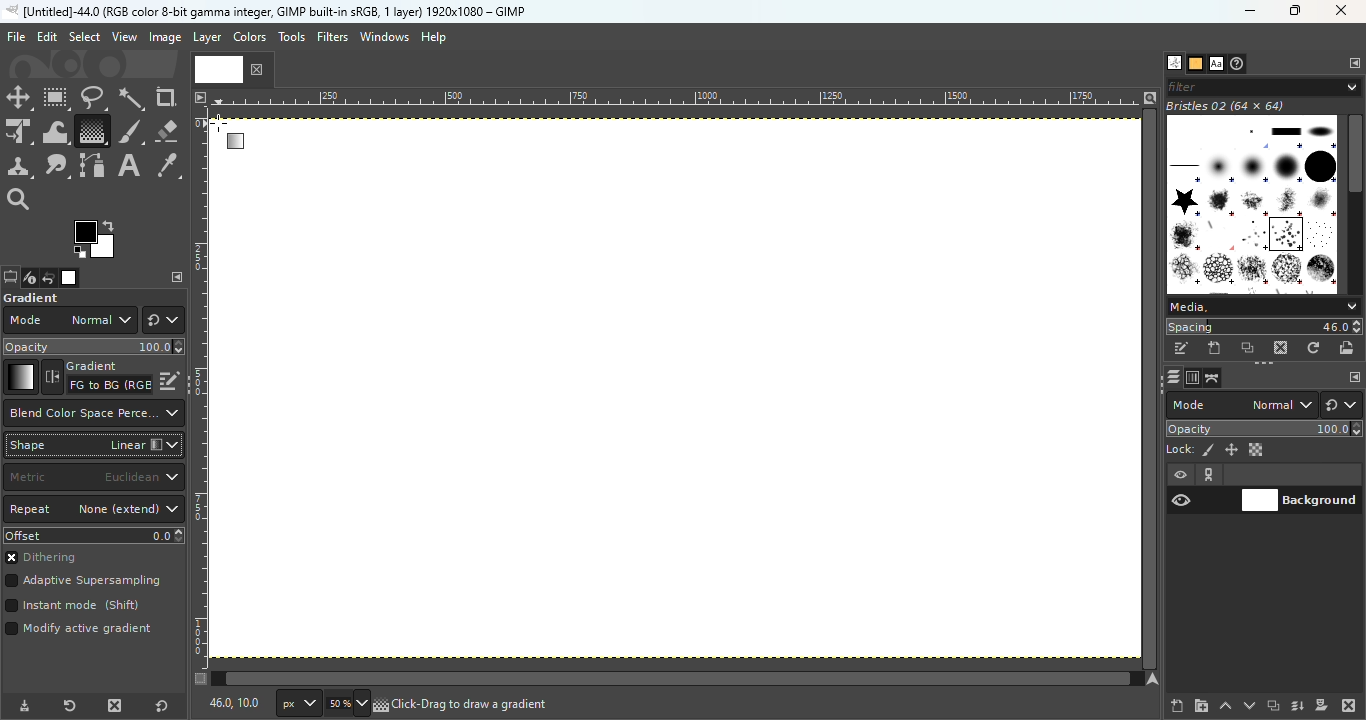  Describe the element at coordinates (1322, 705) in the screenshot. I see `Add a mask that allows non destructive editing of transperency` at that location.